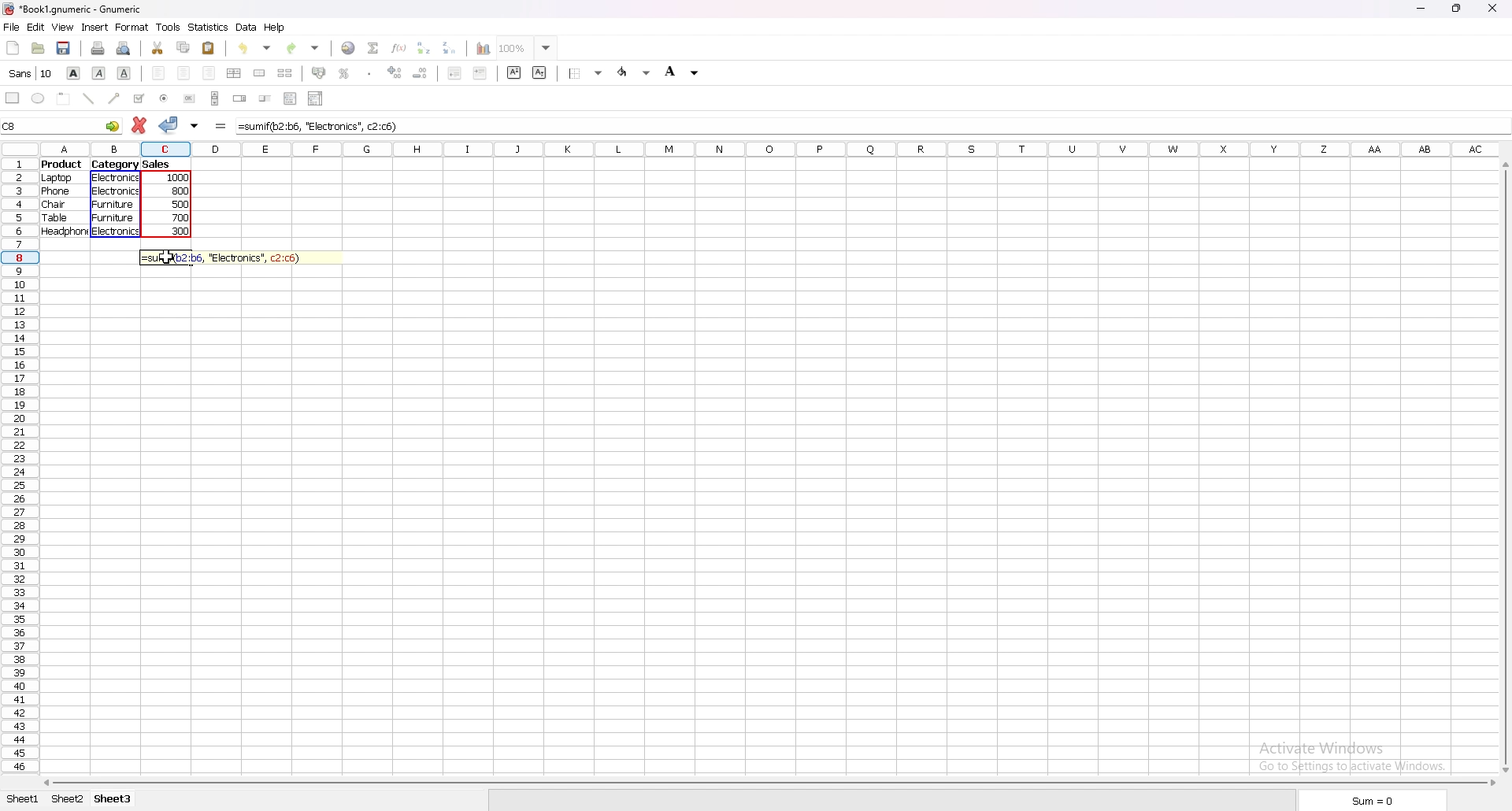  What do you see at coordinates (274, 27) in the screenshot?
I see `help` at bounding box center [274, 27].